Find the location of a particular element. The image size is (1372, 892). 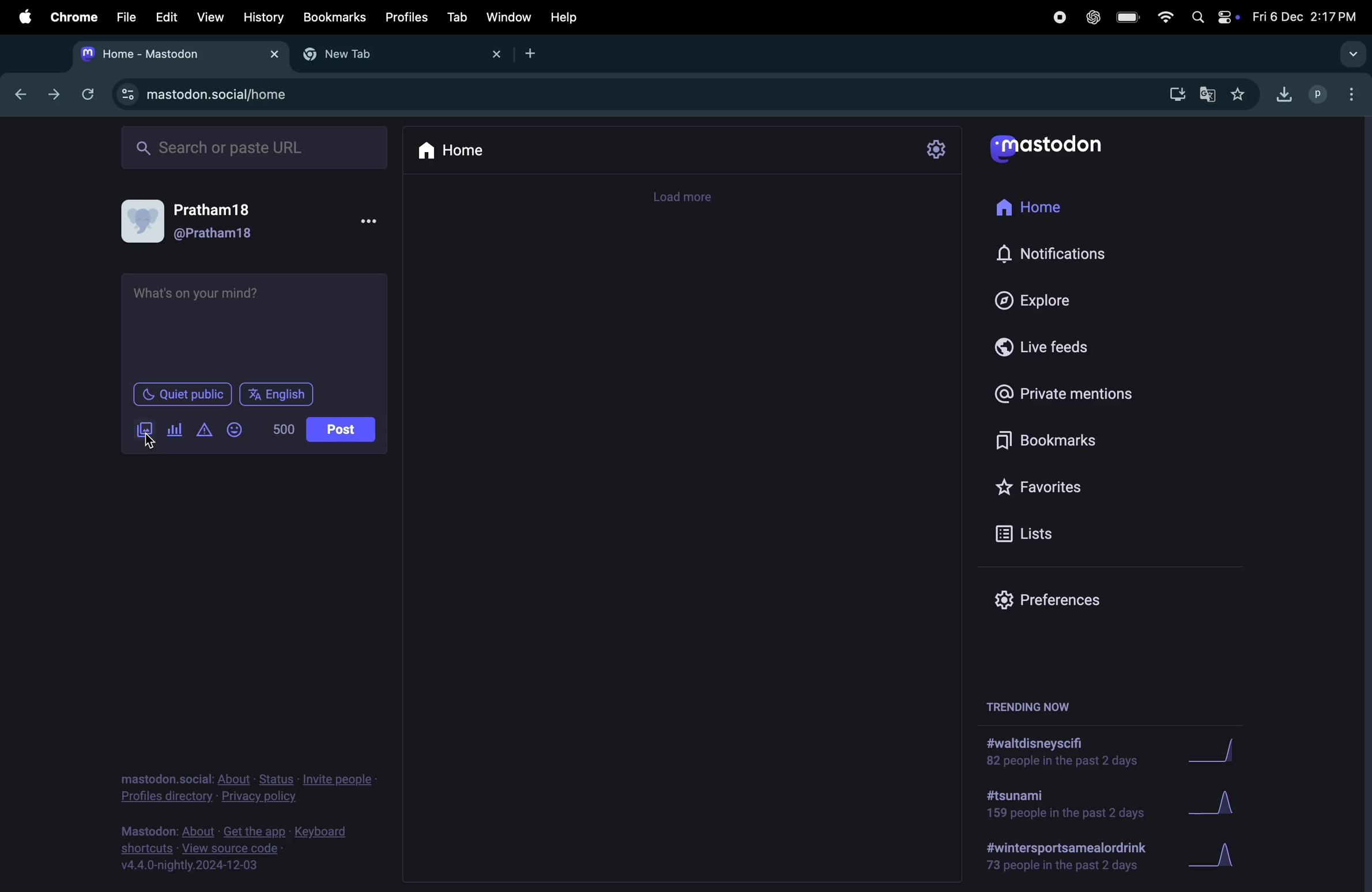

mastodon app is located at coordinates (1060, 152).